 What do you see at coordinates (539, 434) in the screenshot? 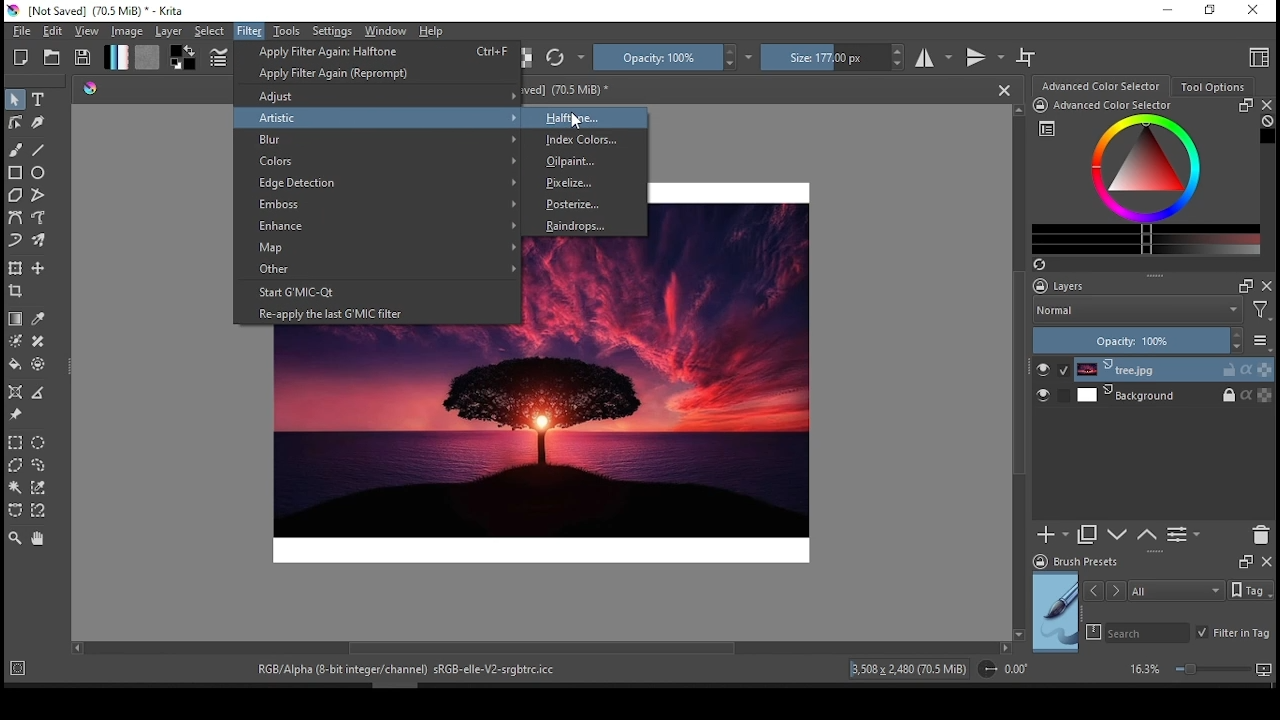
I see `image` at bounding box center [539, 434].